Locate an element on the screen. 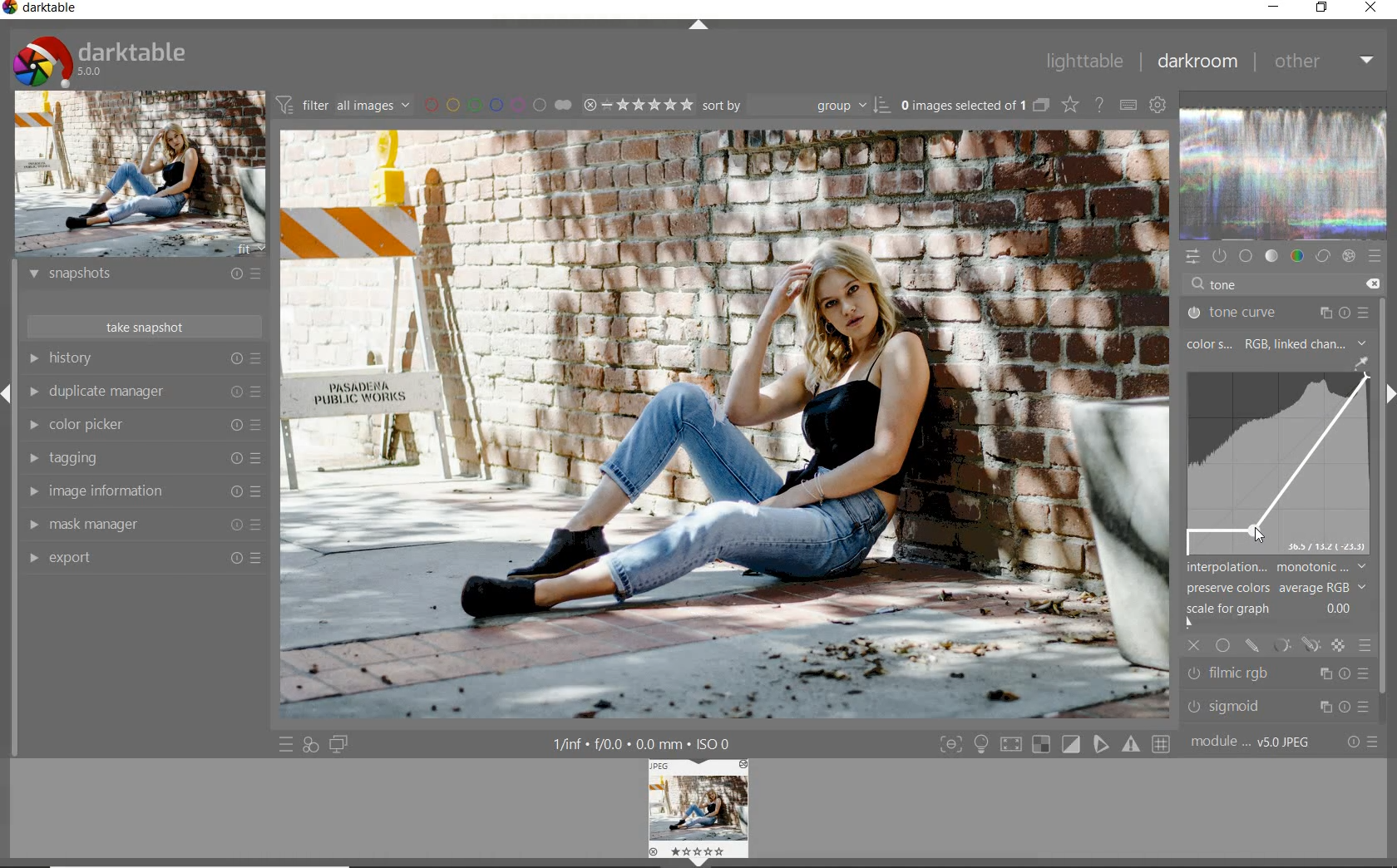  sigmoid is located at coordinates (1276, 706).